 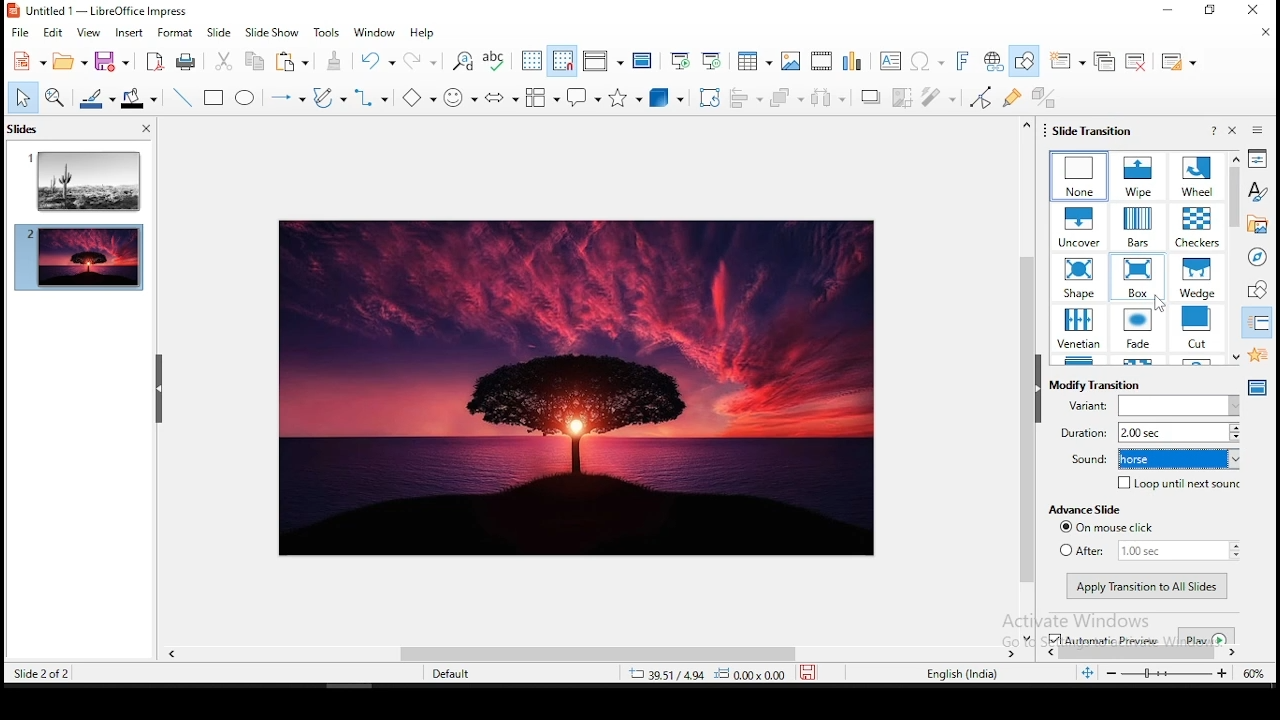 What do you see at coordinates (330, 98) in the screenshot?
I see `curves and polygons` at bounding box center [330, 98].